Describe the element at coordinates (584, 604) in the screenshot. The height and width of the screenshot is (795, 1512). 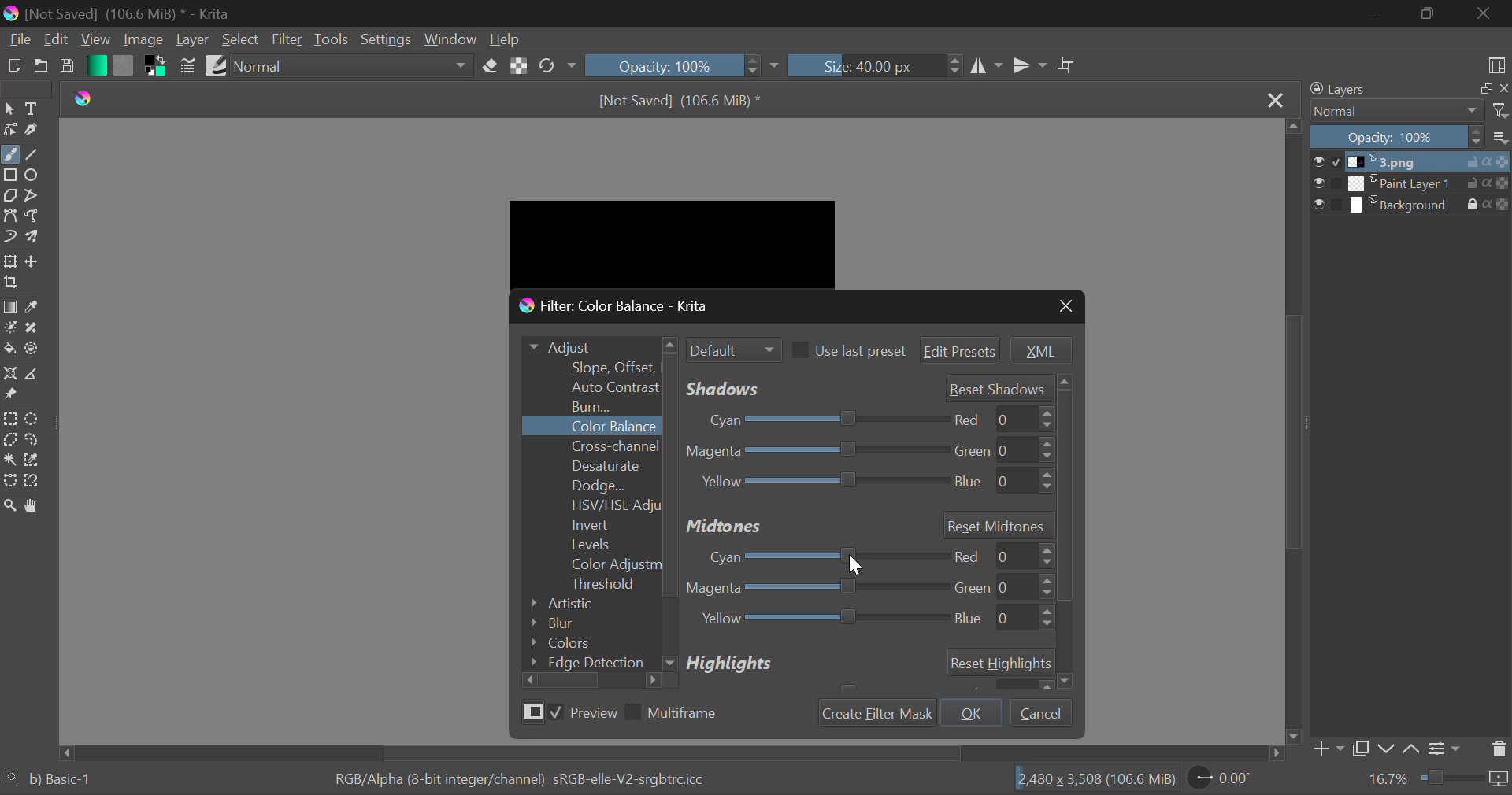
I see `Artistic` at that location.